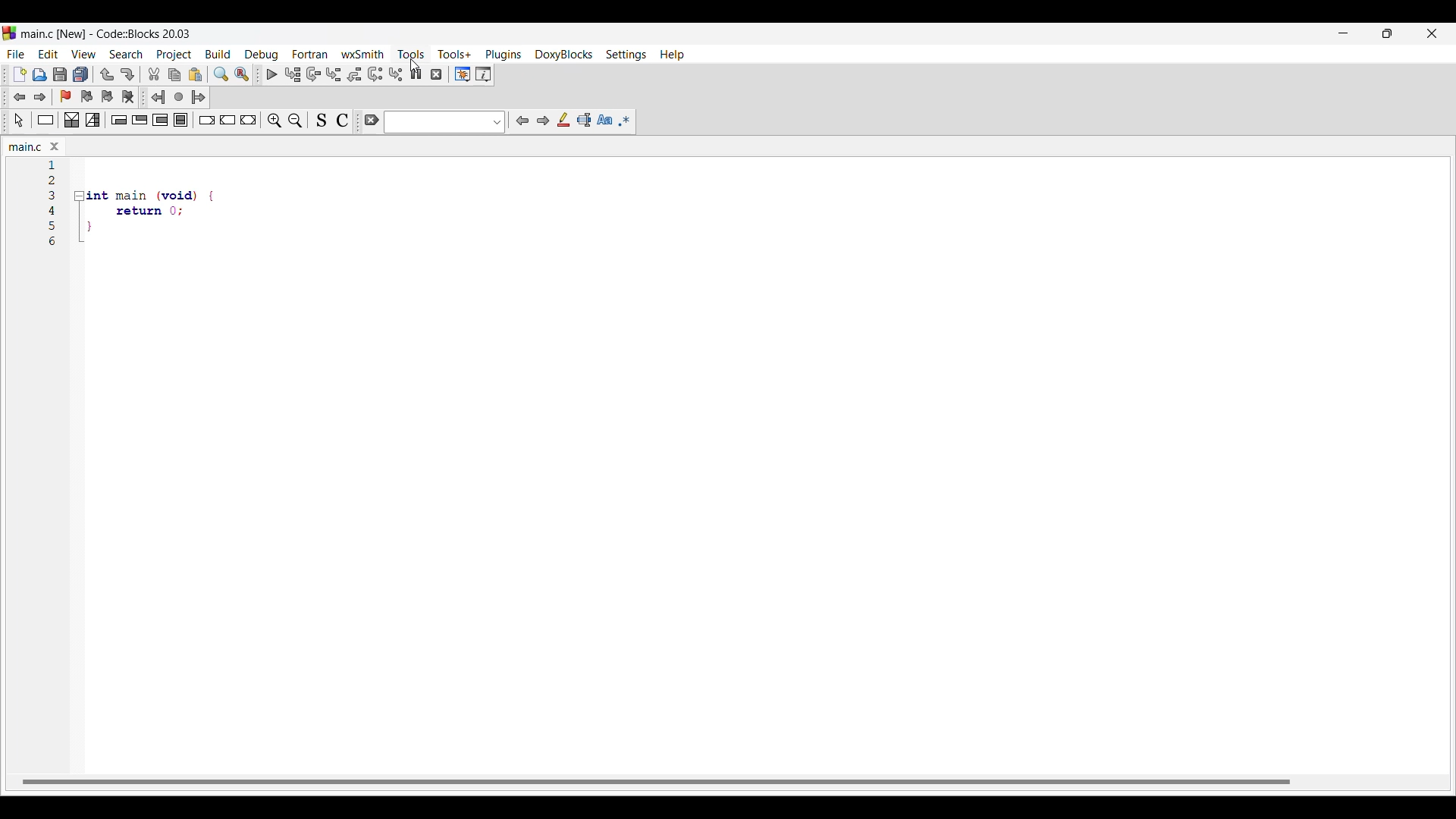 The height and width of the screenshot is (819, 1456). I want to click on Undo, so click(107, 74).